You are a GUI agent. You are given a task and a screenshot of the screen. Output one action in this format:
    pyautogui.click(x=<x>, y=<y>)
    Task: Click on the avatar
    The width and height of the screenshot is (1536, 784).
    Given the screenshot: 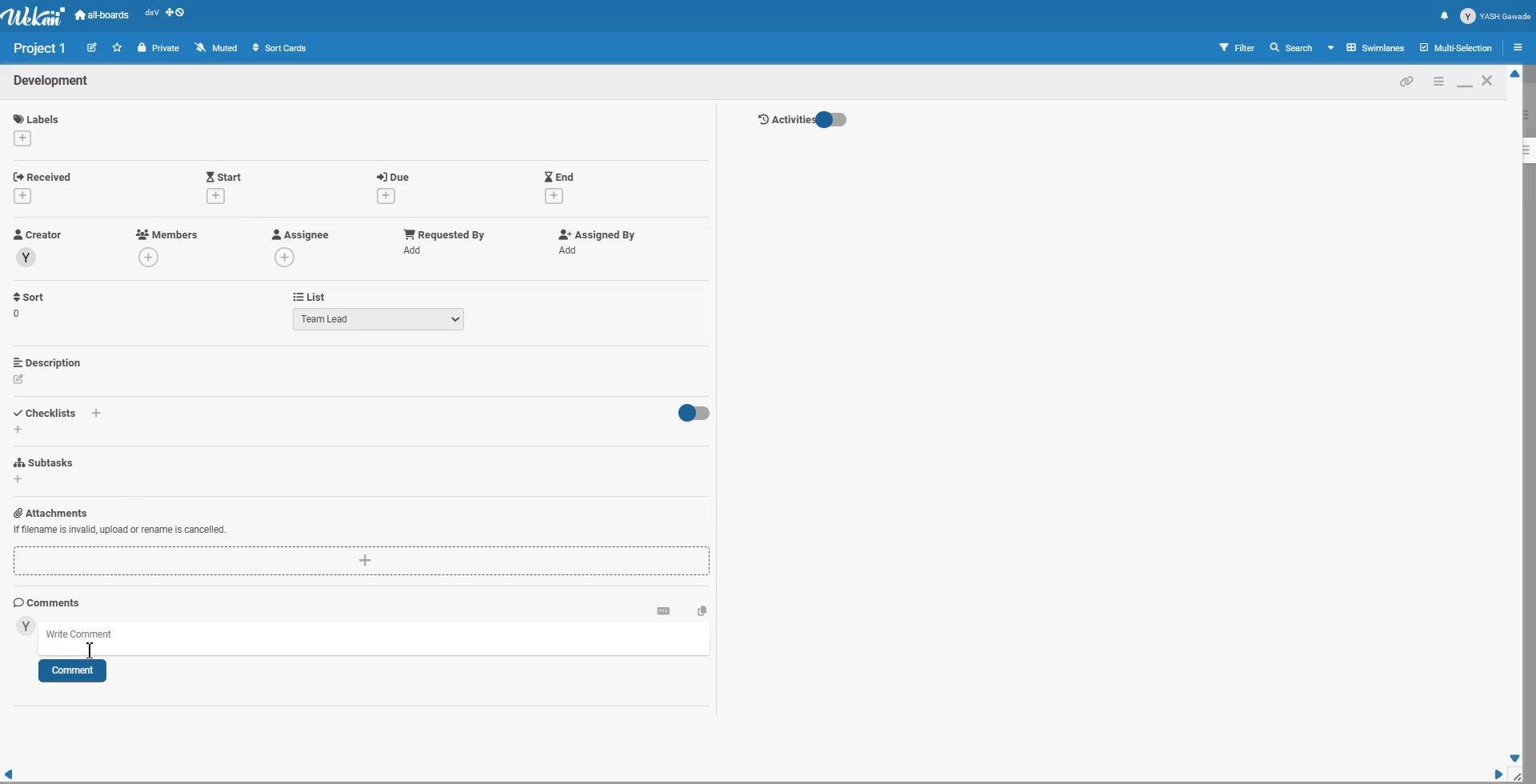 What is the action you would take?
    pyautogui.click(x=26, y=626)
    